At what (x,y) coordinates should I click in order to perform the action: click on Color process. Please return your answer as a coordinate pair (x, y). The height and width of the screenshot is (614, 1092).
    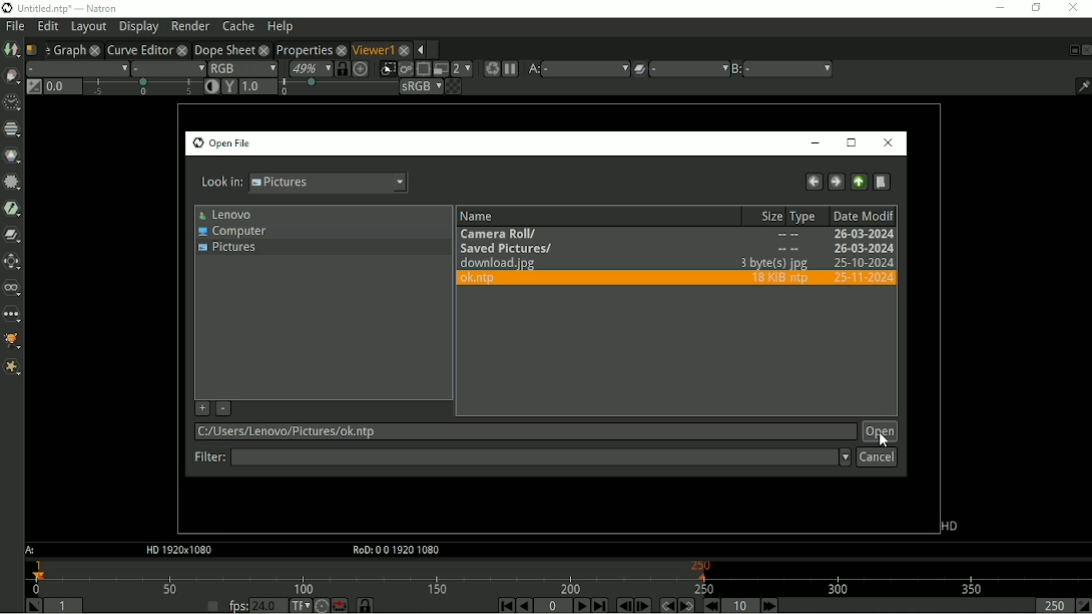
    Looking at the image, I should click on (420, 86).